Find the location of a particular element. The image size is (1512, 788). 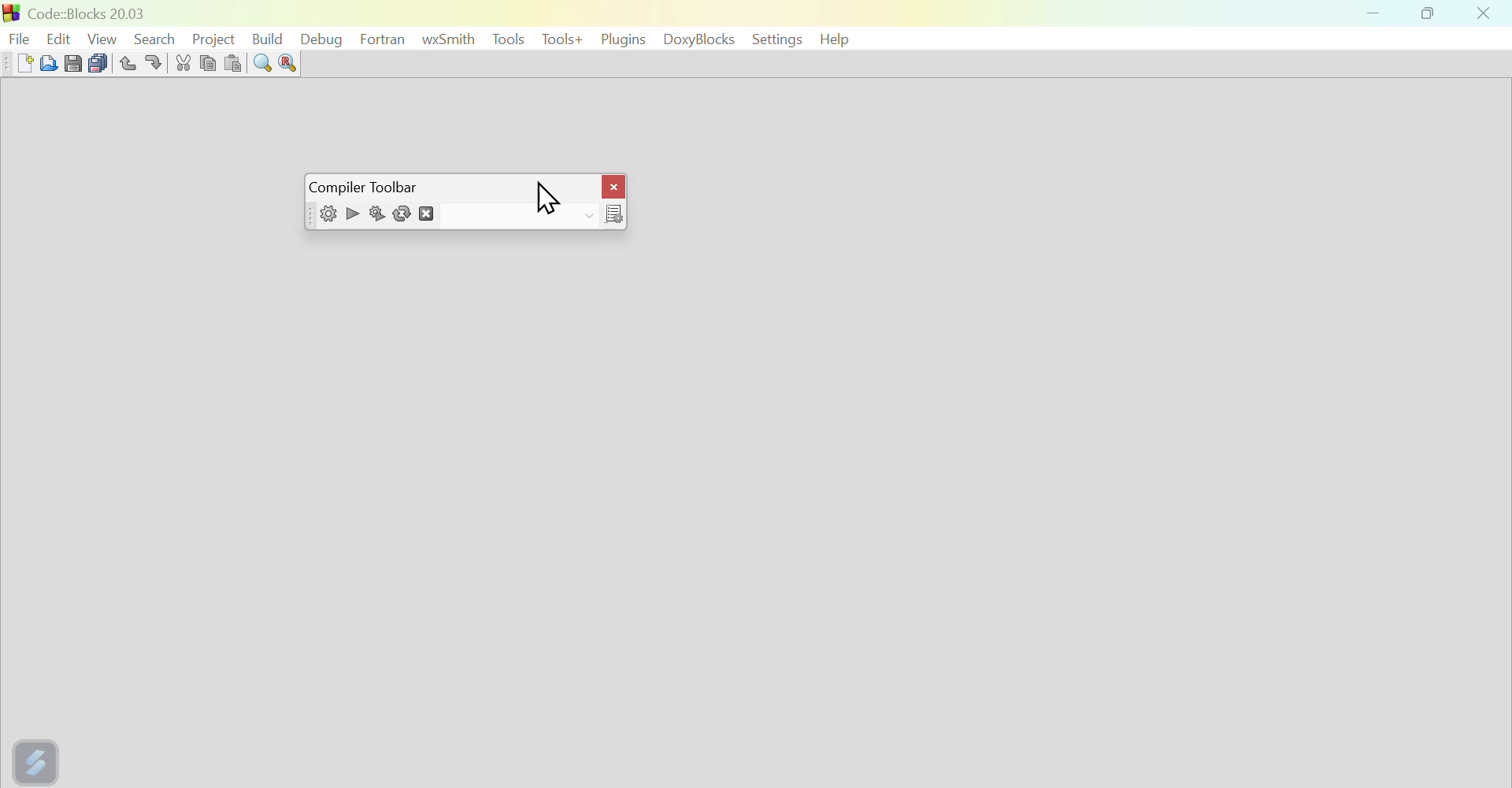

Fortran is located at coordinates (383, 39).